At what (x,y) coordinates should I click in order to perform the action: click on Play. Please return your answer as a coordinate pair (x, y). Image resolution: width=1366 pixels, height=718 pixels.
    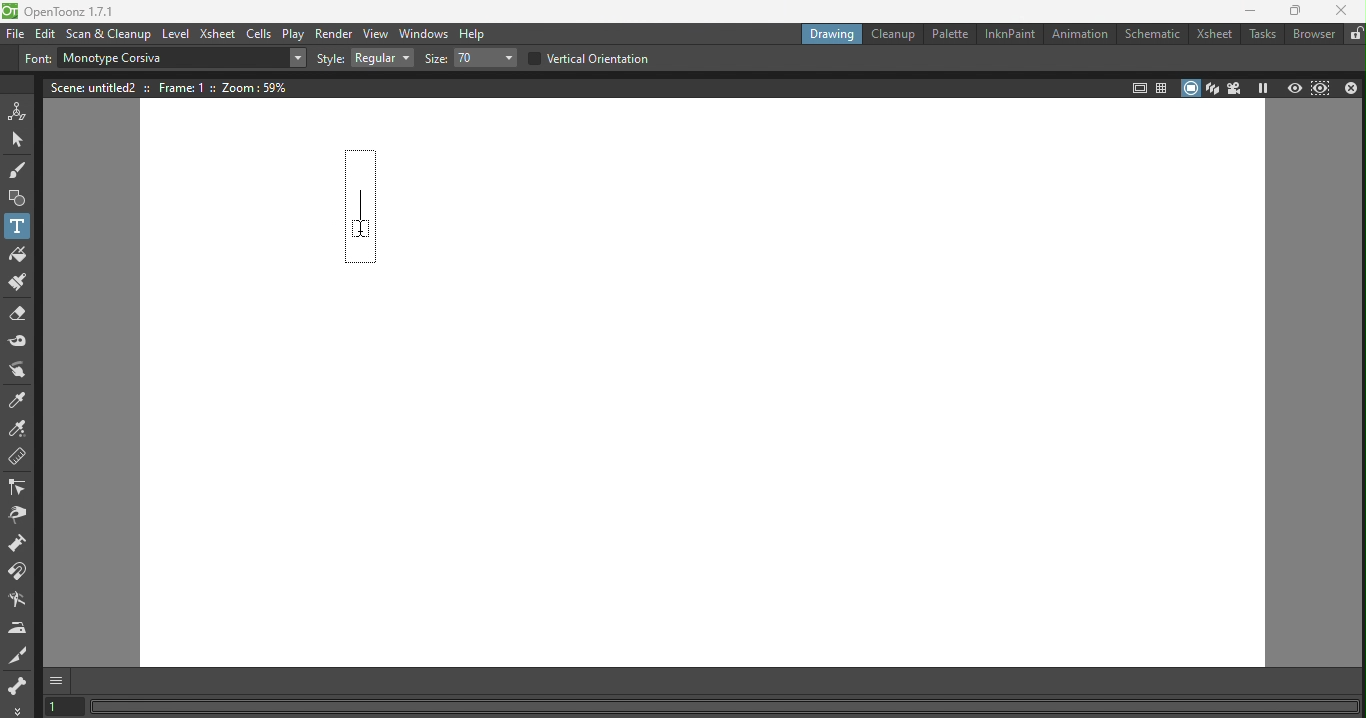
    Looking at the image, I should click on (297, 33).